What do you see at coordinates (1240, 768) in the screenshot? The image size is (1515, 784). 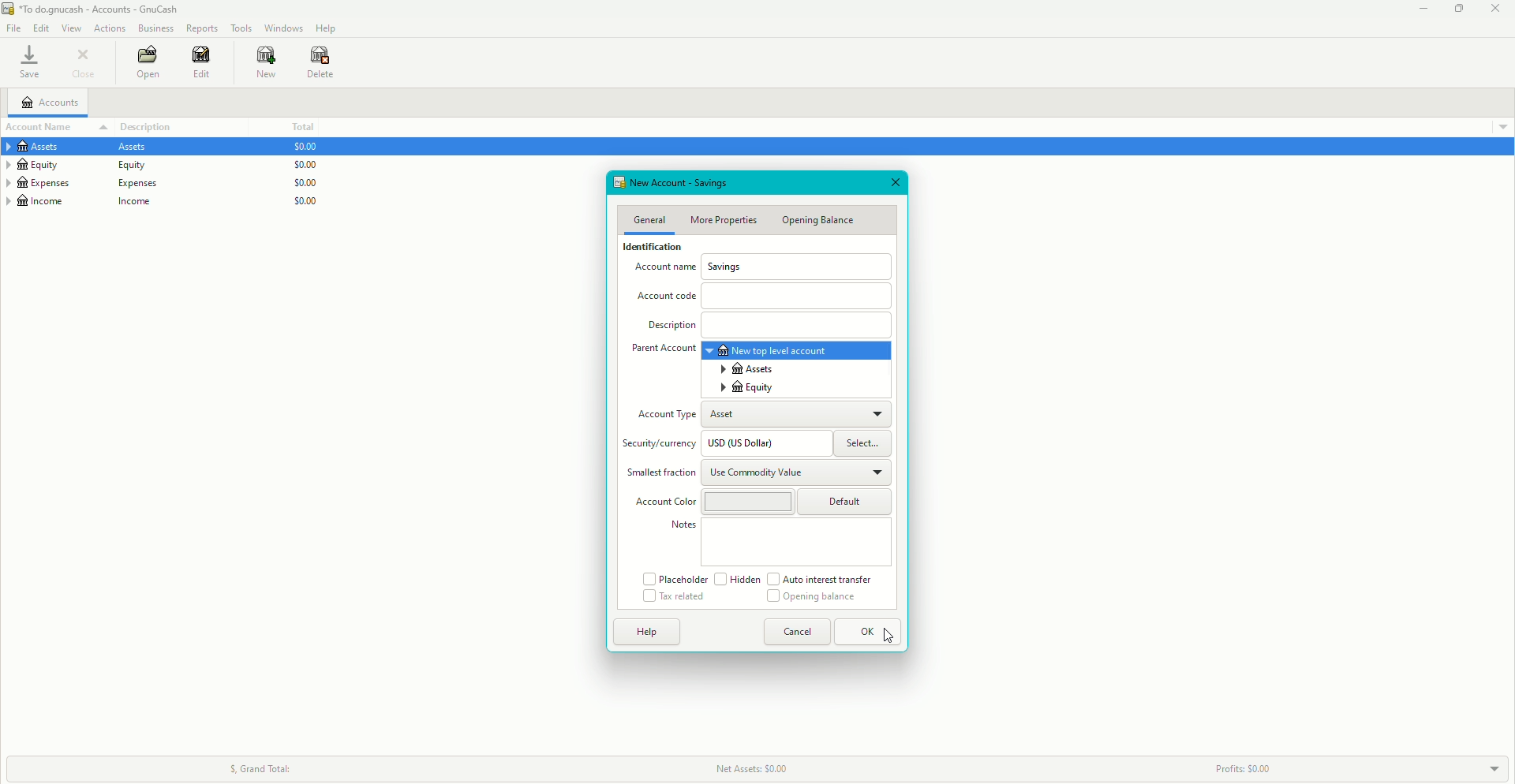 I see `Profits` at bounding box center [1240, 768].